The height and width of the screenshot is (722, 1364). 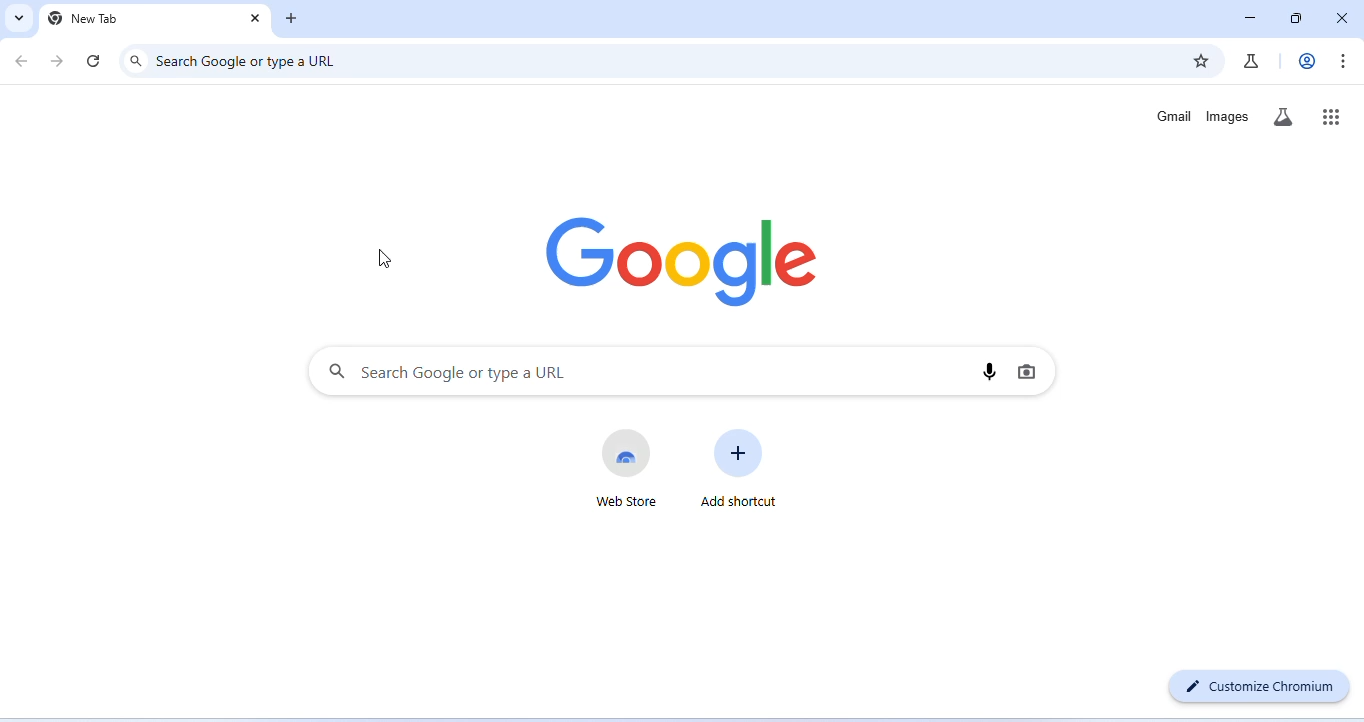 I want to click on voice search, so click(x=985, y=373).